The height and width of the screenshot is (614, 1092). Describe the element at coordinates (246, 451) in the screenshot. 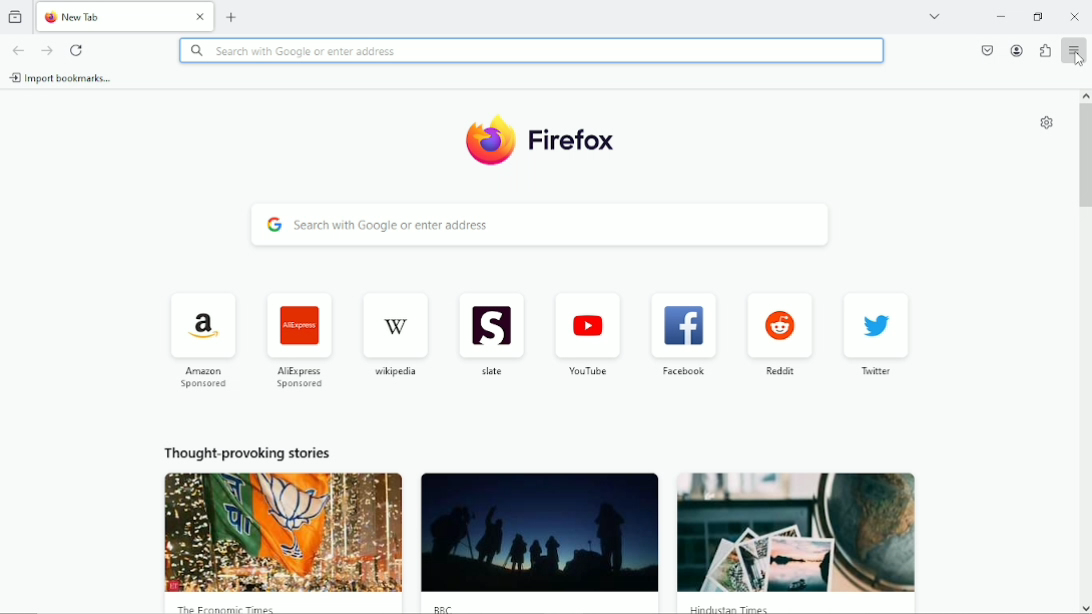

I see `Thought provoking stories` at that location.